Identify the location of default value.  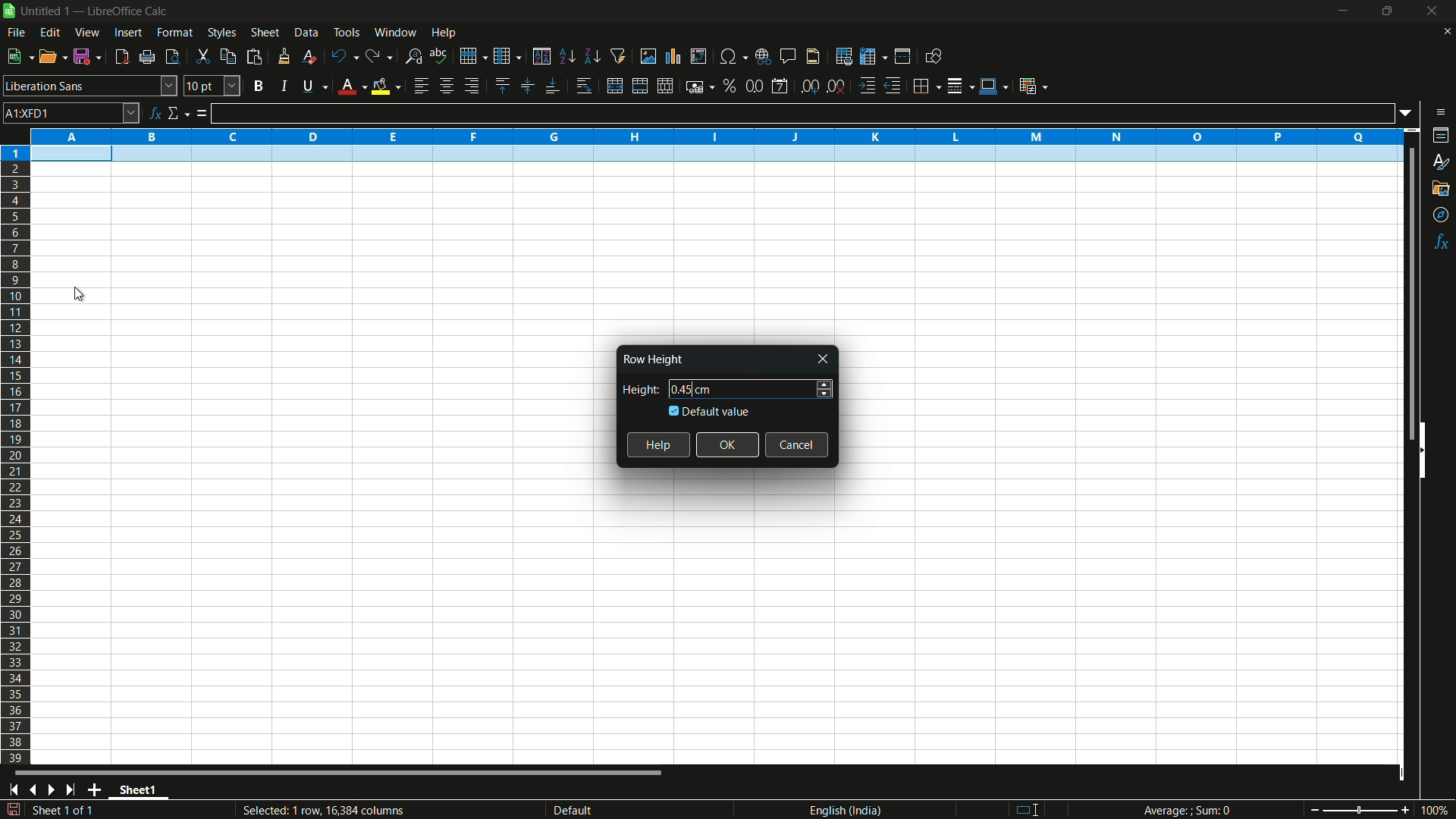
(711, 411).